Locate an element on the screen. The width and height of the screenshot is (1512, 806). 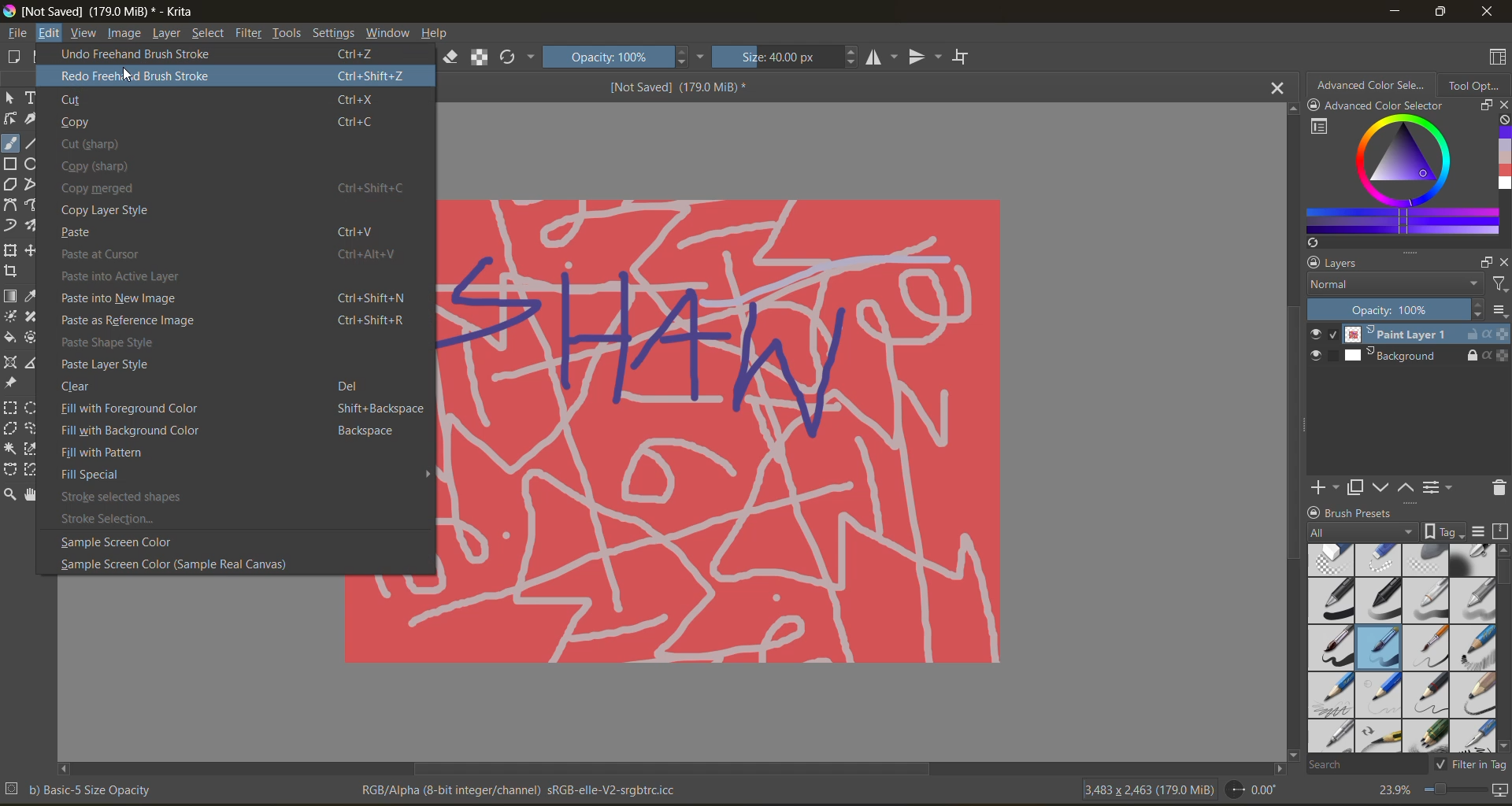
add is located at coordinates (1325, 488).